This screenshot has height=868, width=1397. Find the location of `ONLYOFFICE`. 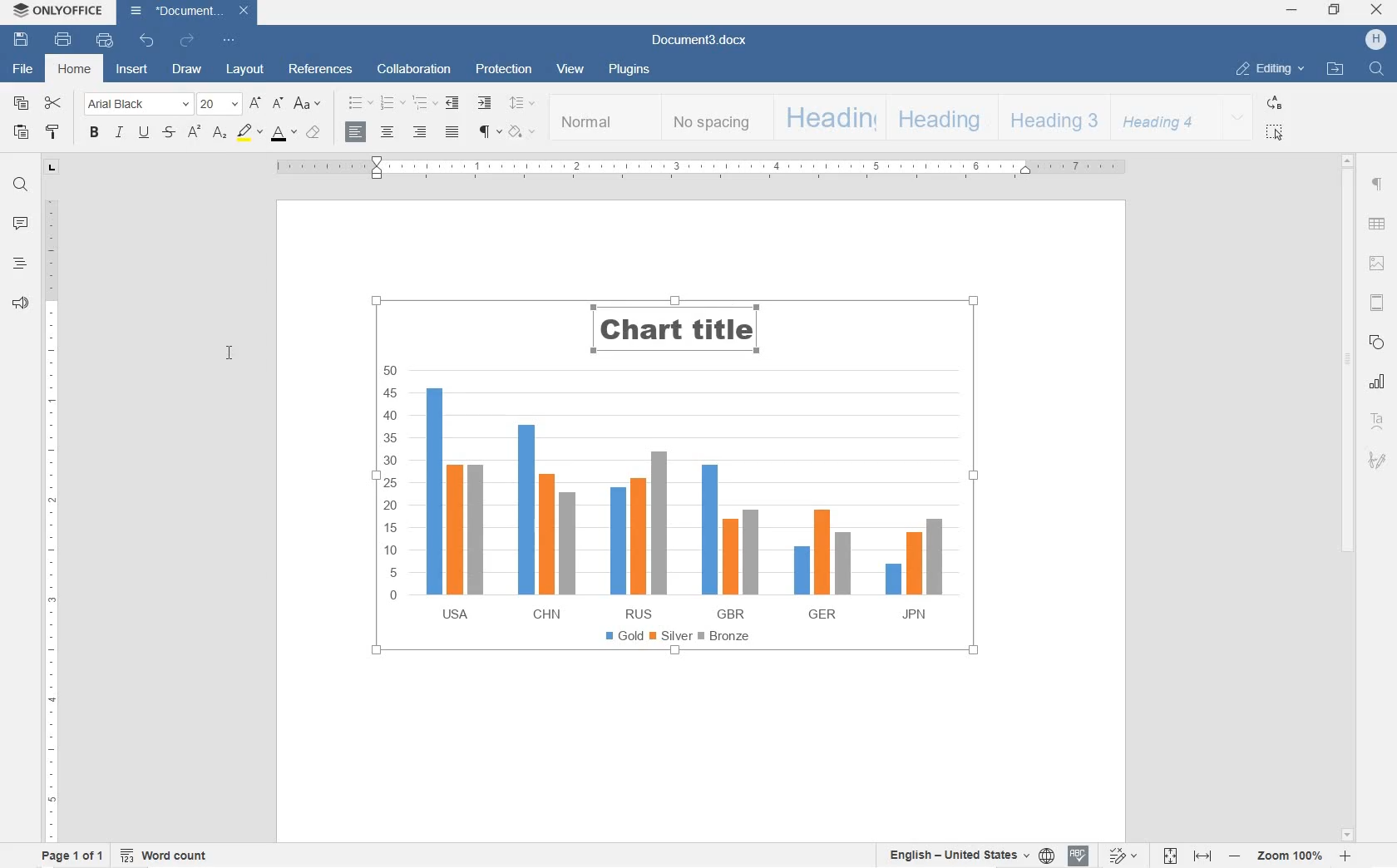

ONLYOFFICE is located at coordinates (58, 11).